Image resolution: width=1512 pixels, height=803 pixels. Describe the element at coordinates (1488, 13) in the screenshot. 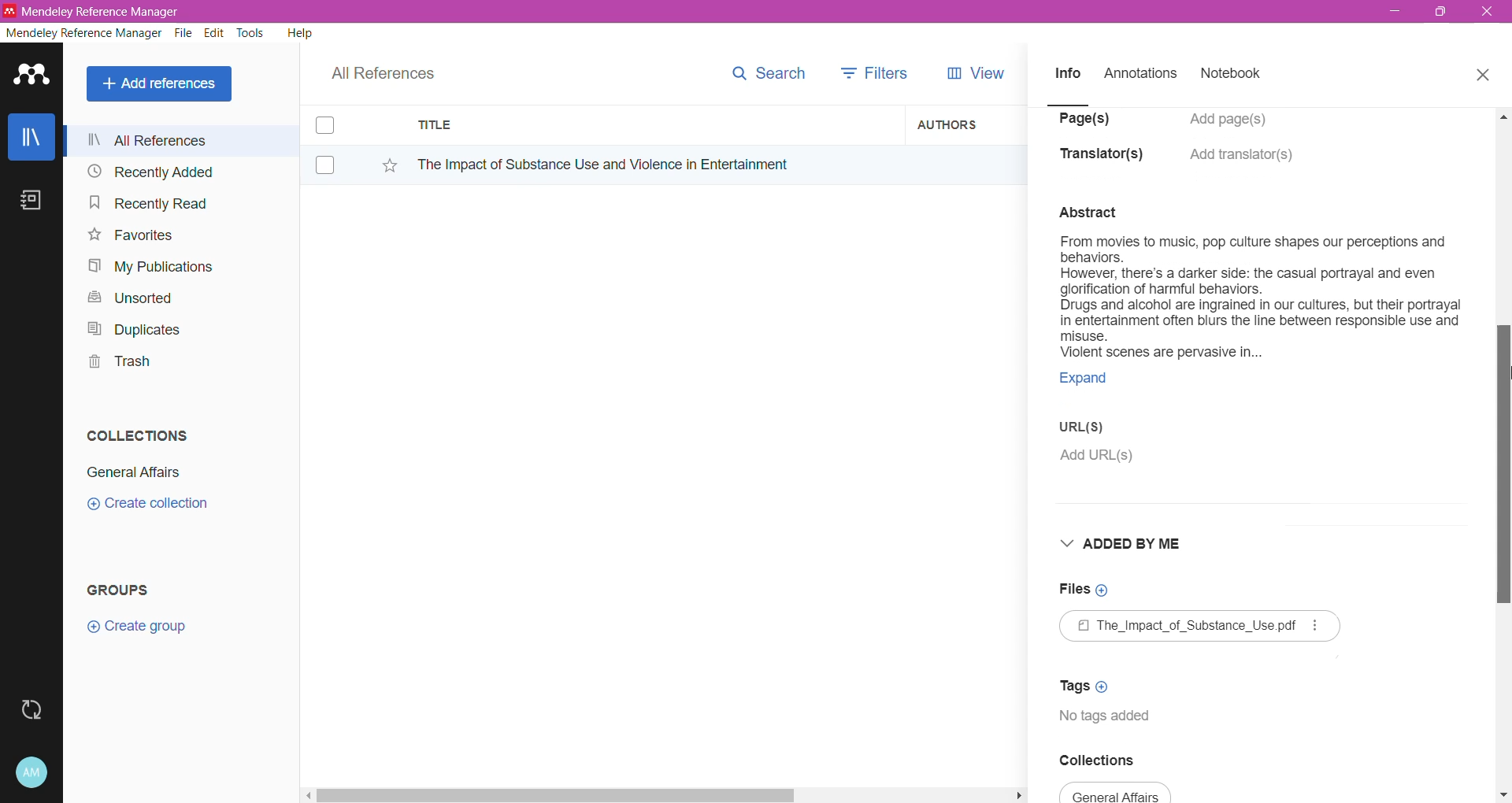

I see `Close` at that location.